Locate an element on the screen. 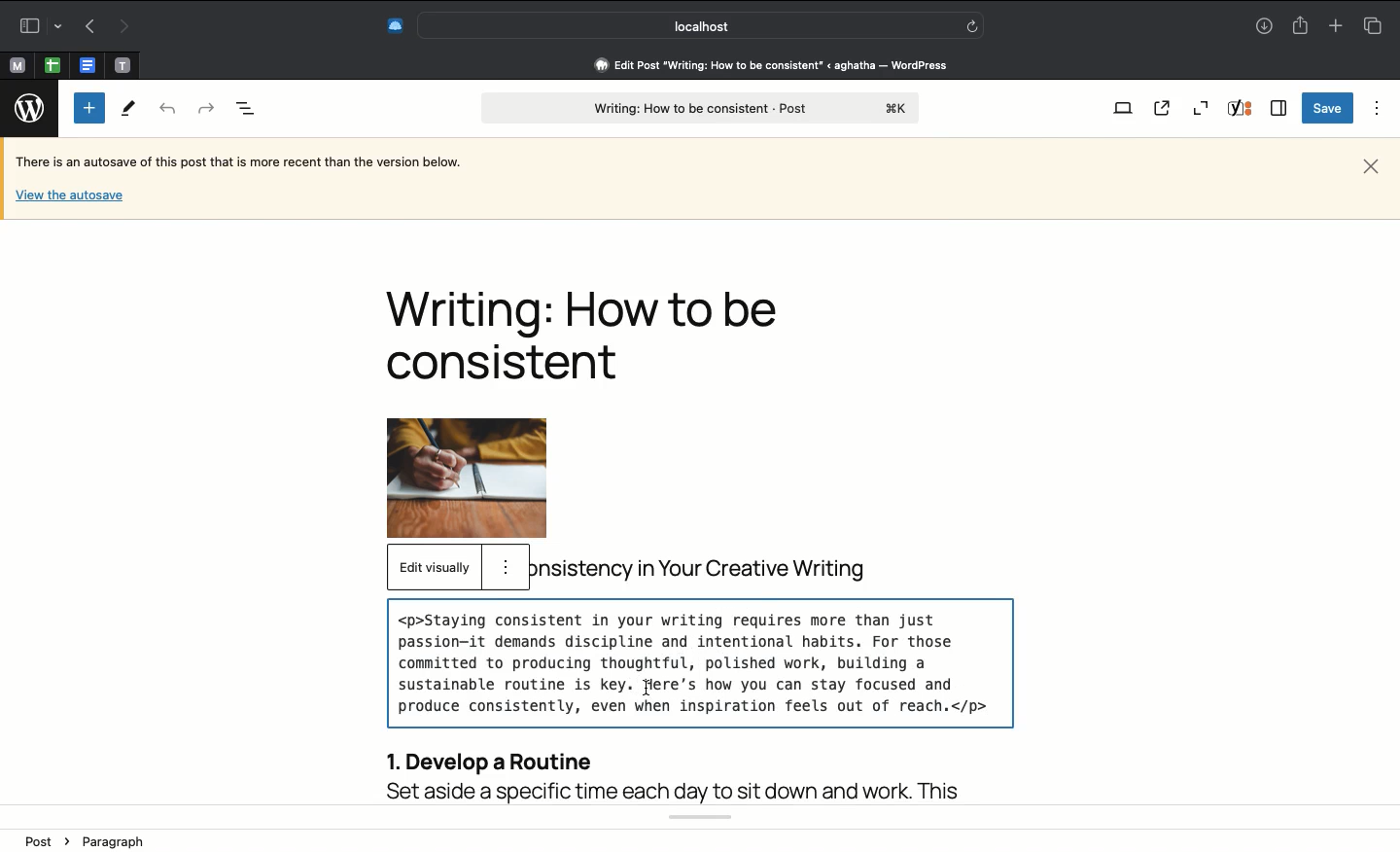  html body is located at coordinates (698, 700).